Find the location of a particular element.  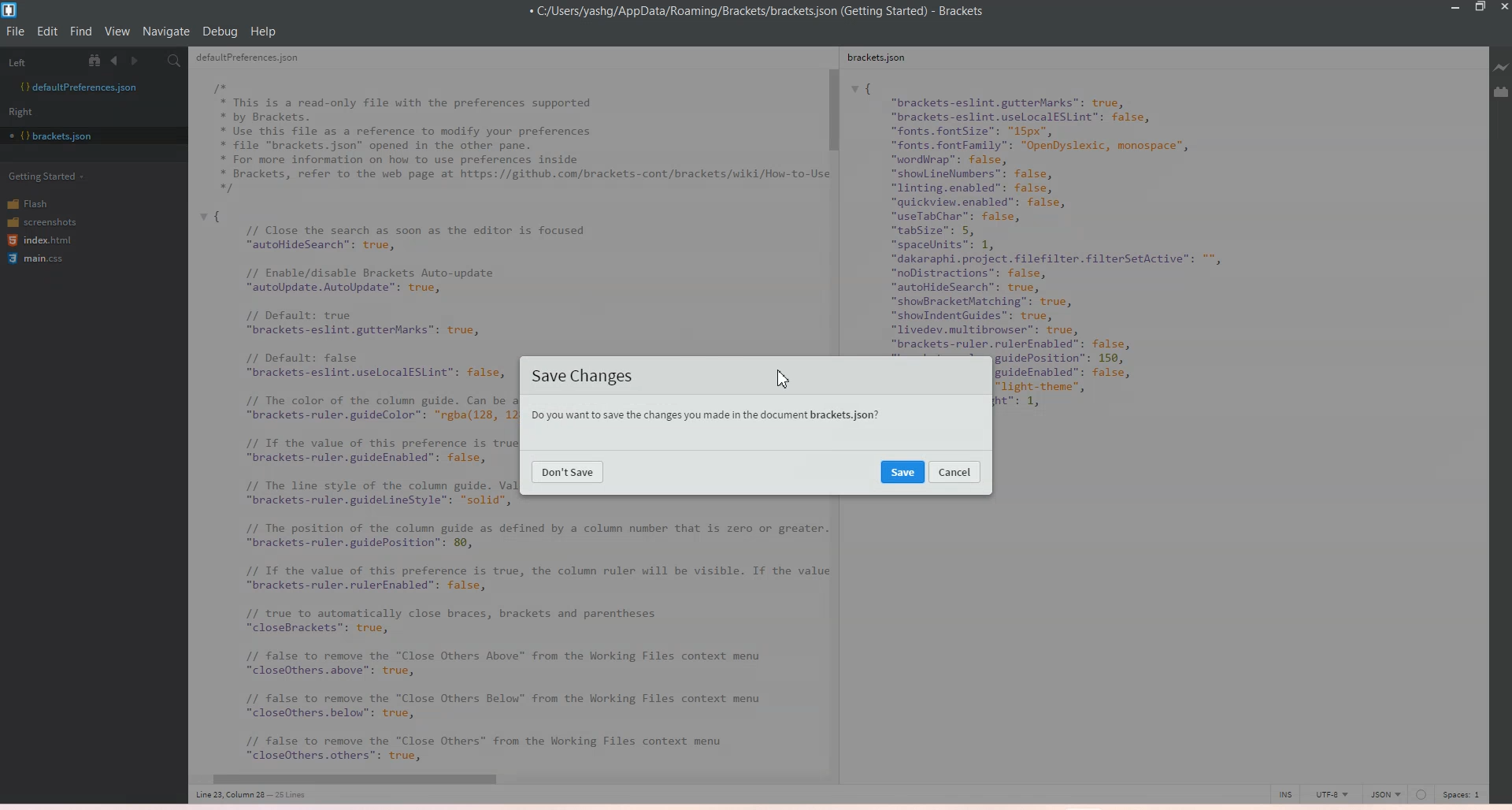

index.html is located at coordinates (42, 241).